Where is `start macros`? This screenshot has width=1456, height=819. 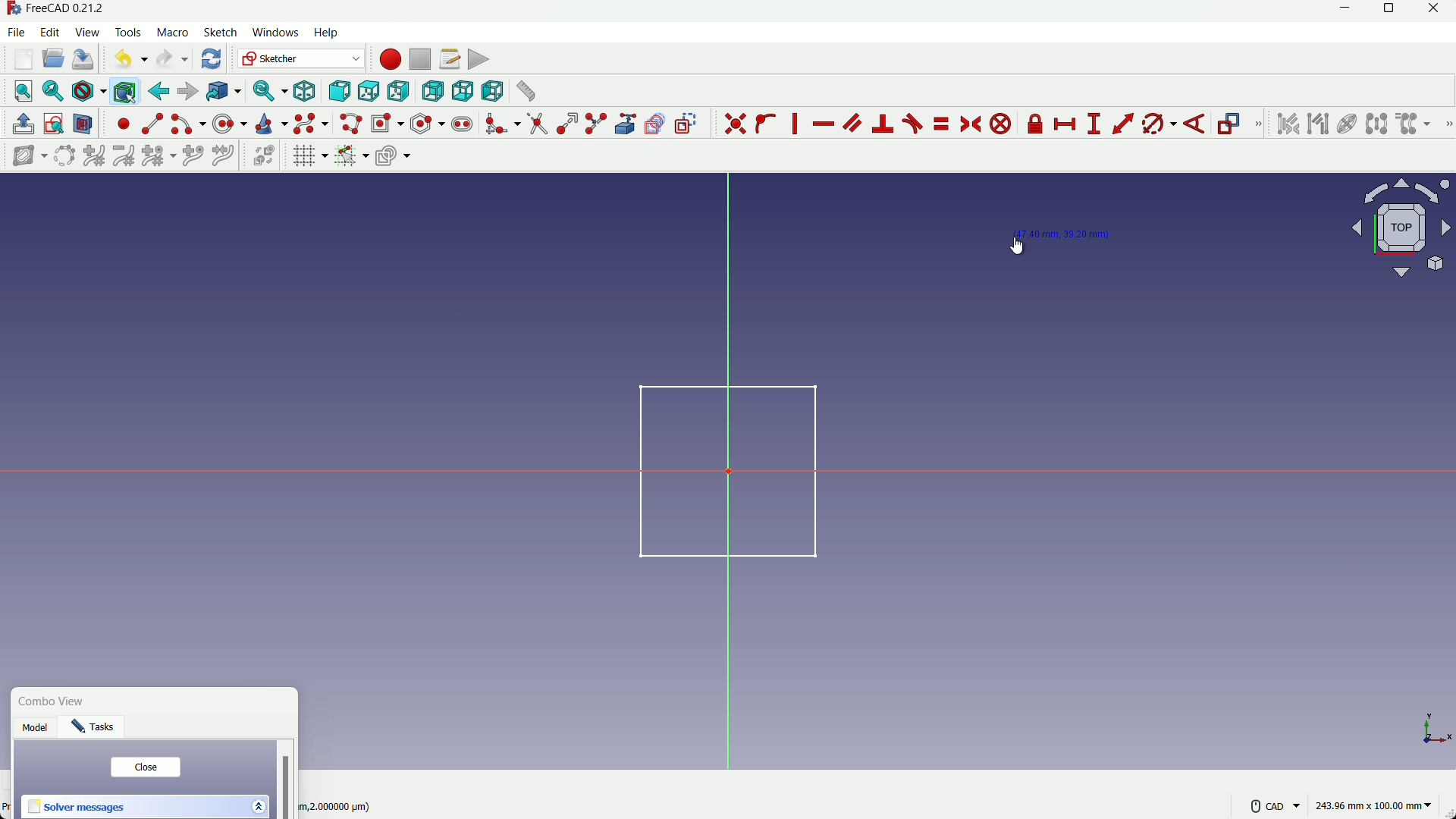
start macros is located at coordinates (389, 59).